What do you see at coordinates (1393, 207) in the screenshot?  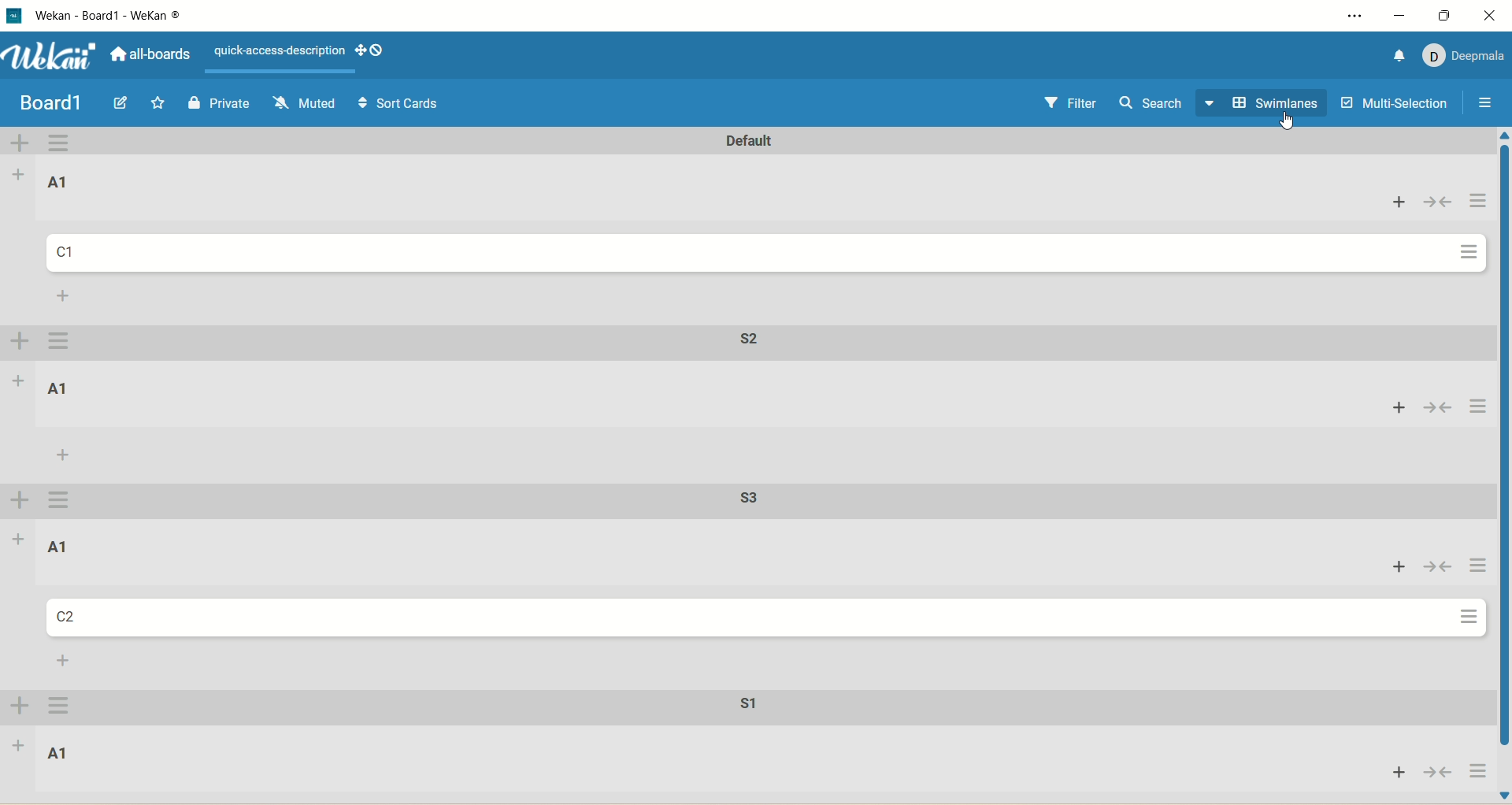 I see `add` at bounding box center [1393, 207].